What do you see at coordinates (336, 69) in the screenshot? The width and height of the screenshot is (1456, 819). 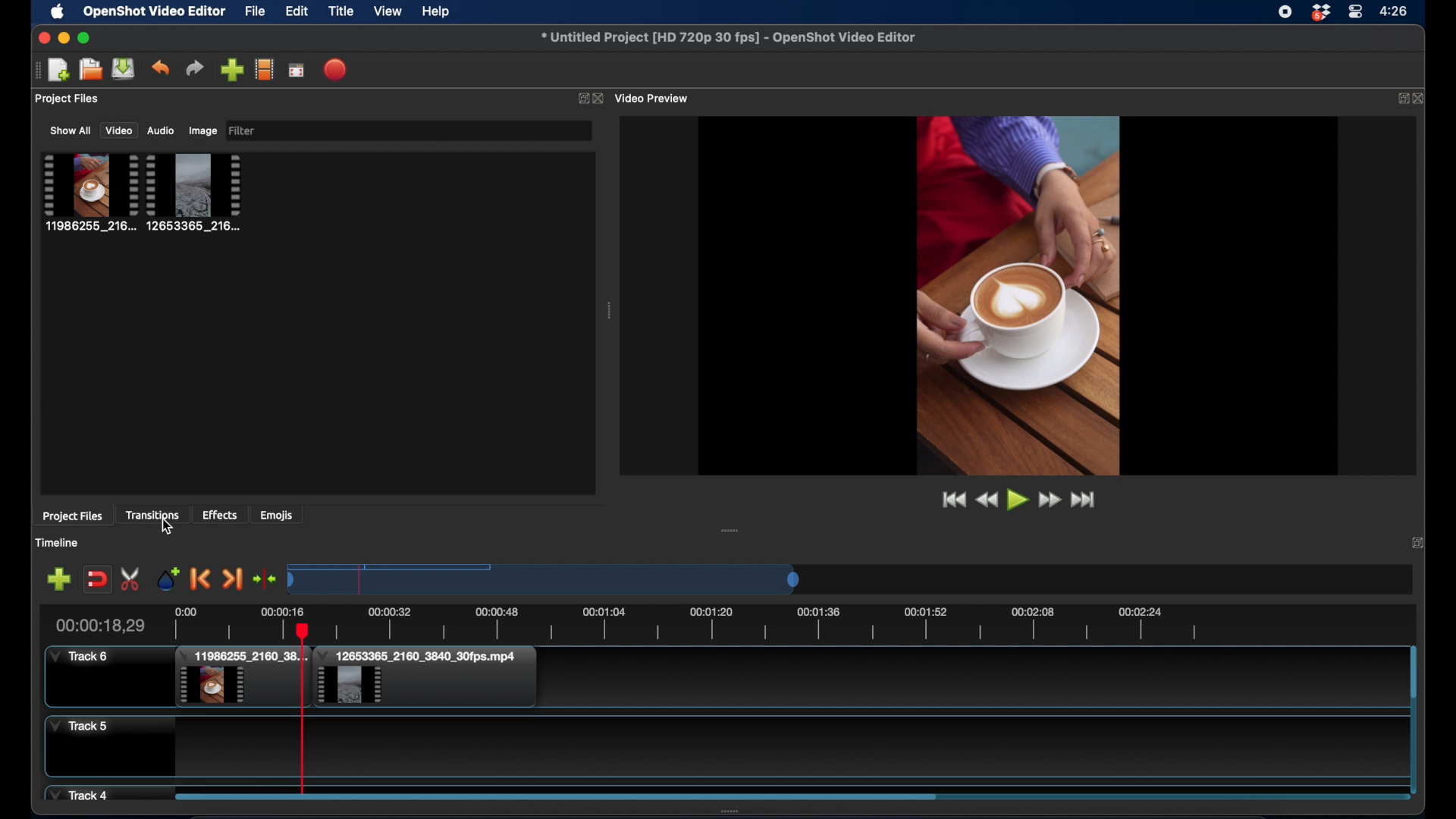 I see `export video` at bounding box center [336, 69].